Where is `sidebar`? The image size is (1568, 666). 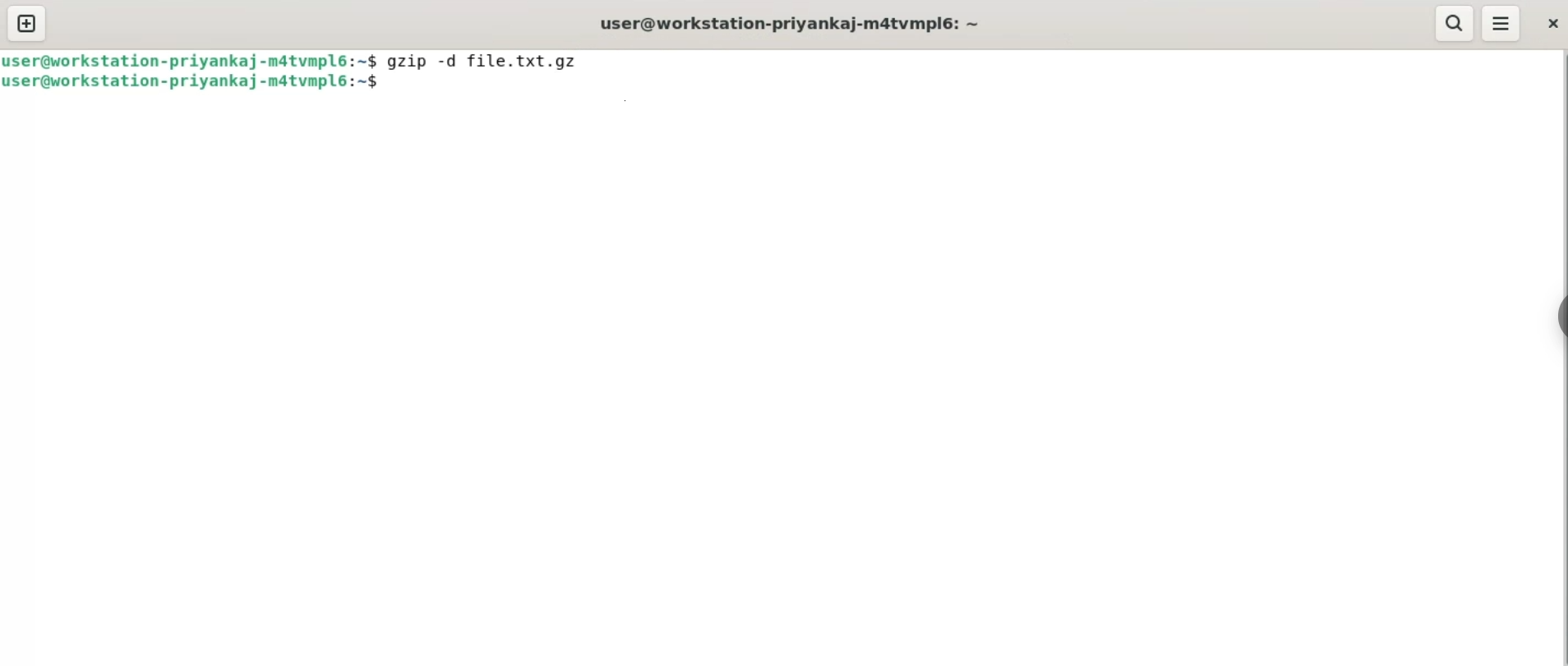
sidebar is located at coordinates (1560, 317).